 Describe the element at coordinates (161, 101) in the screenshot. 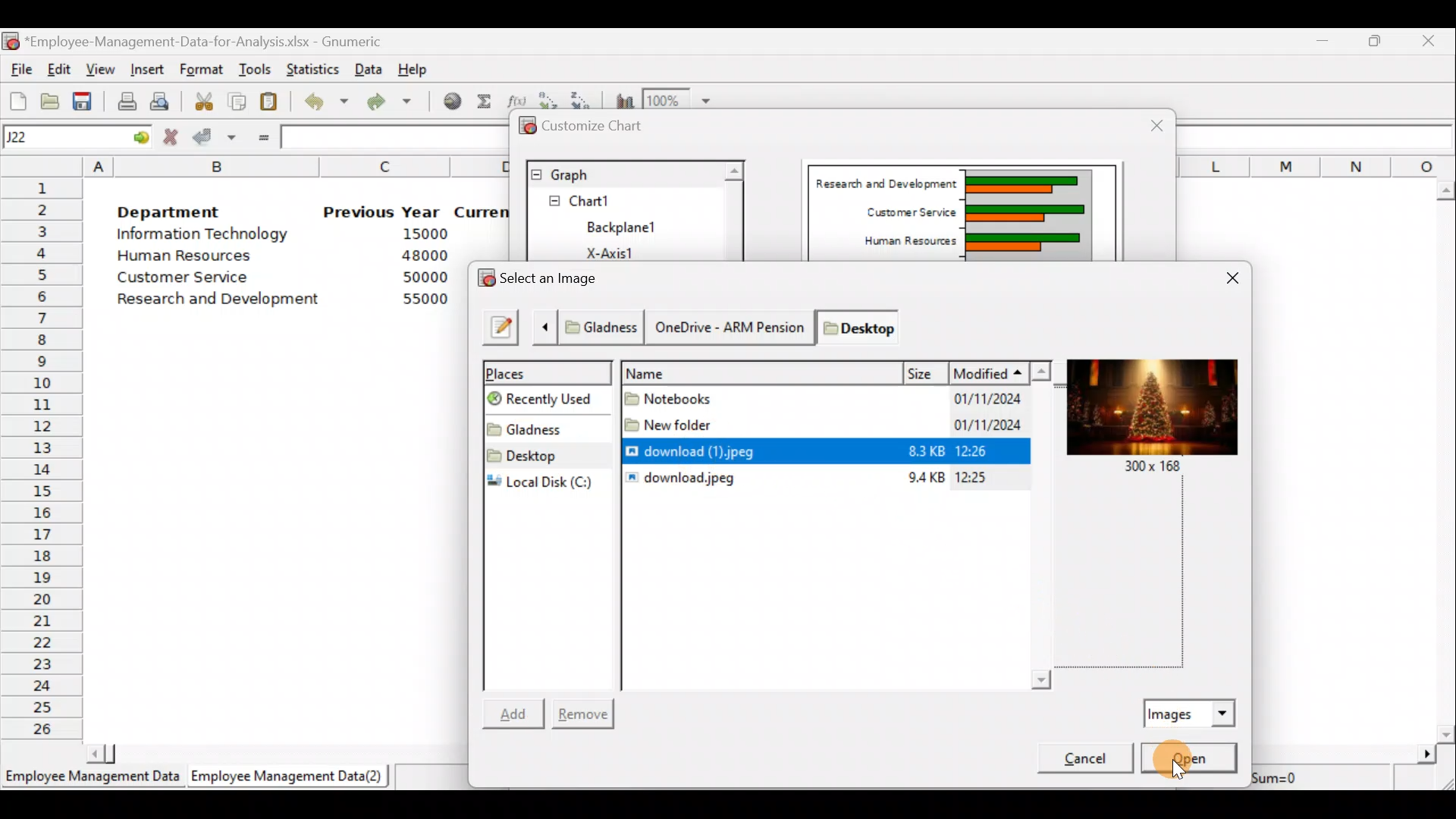

I see `Print preview` at that location.